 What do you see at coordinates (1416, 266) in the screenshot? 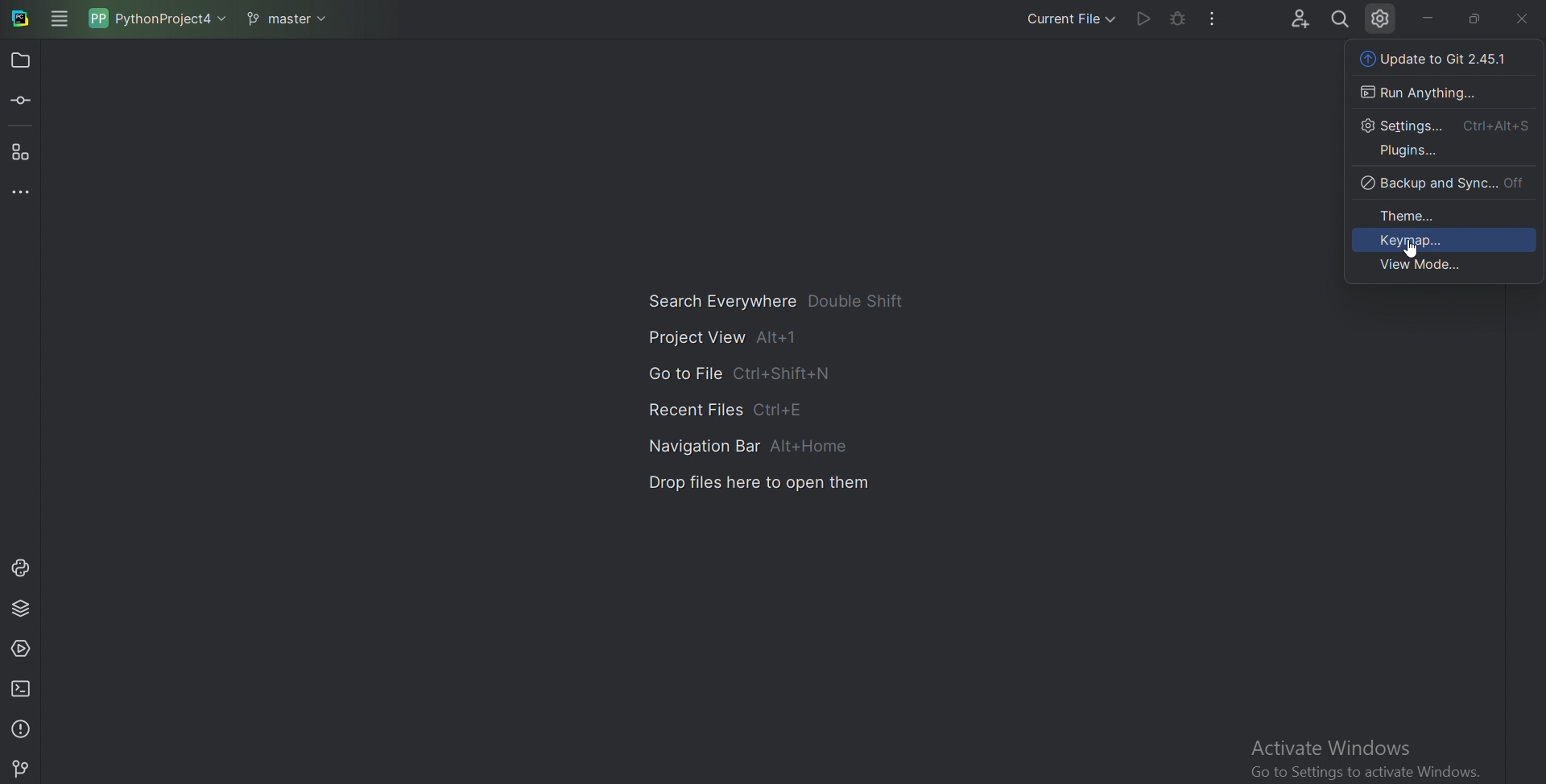
I see `View mode` at bounding box center [1416, 266].